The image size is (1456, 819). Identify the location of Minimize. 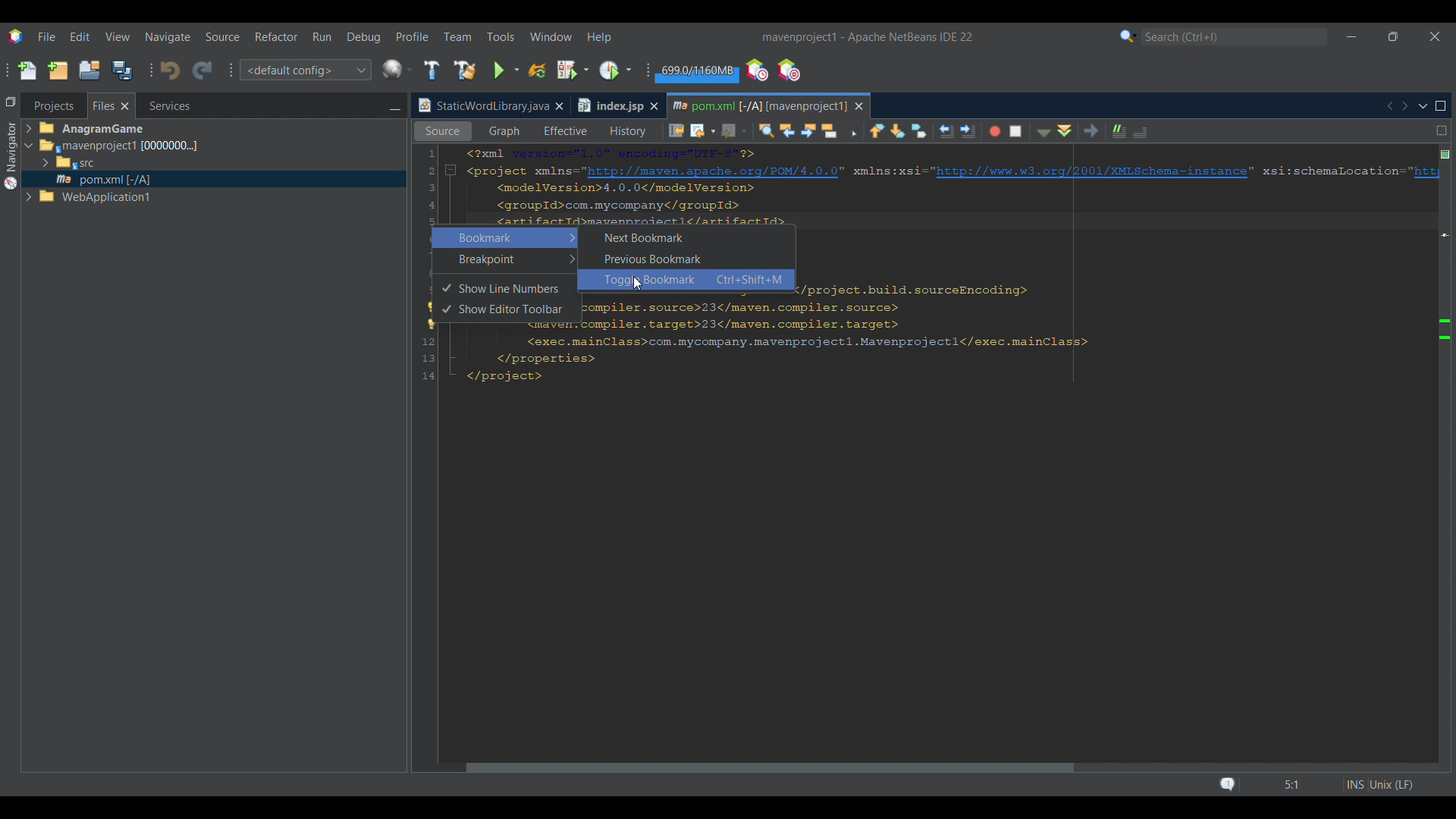
(1351, 37).